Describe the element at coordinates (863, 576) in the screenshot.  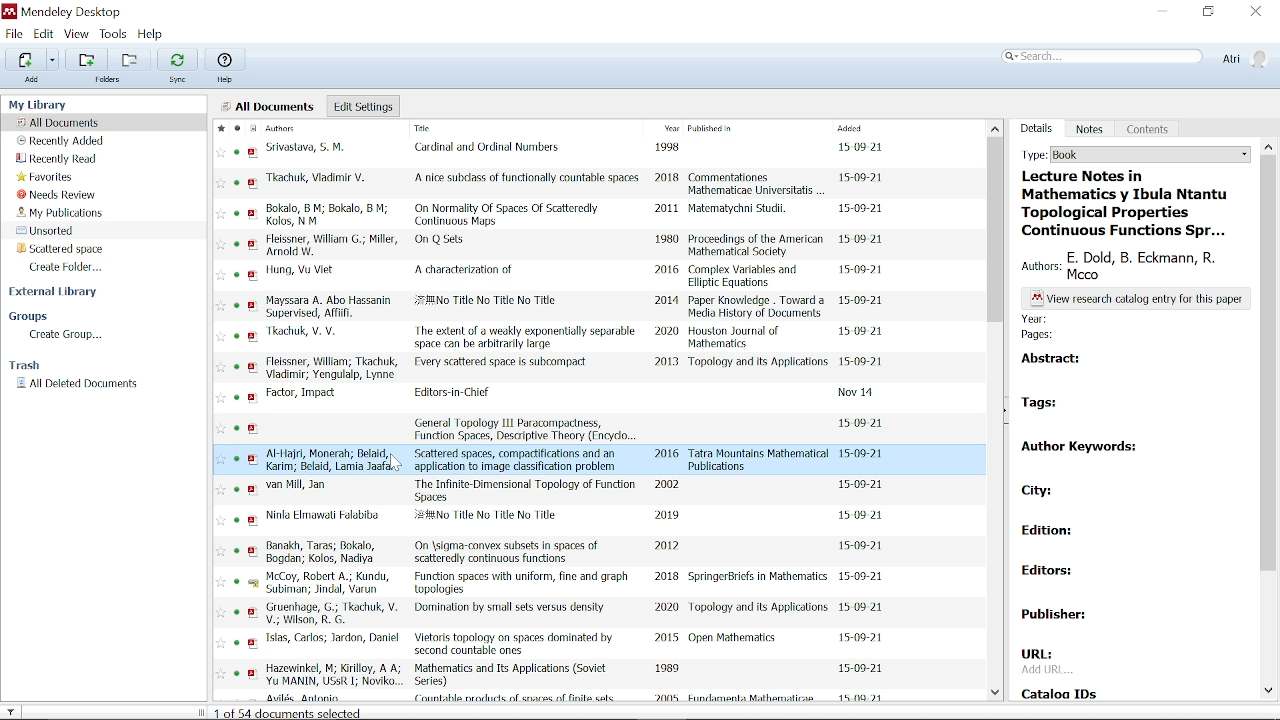
I see `date` at that location.